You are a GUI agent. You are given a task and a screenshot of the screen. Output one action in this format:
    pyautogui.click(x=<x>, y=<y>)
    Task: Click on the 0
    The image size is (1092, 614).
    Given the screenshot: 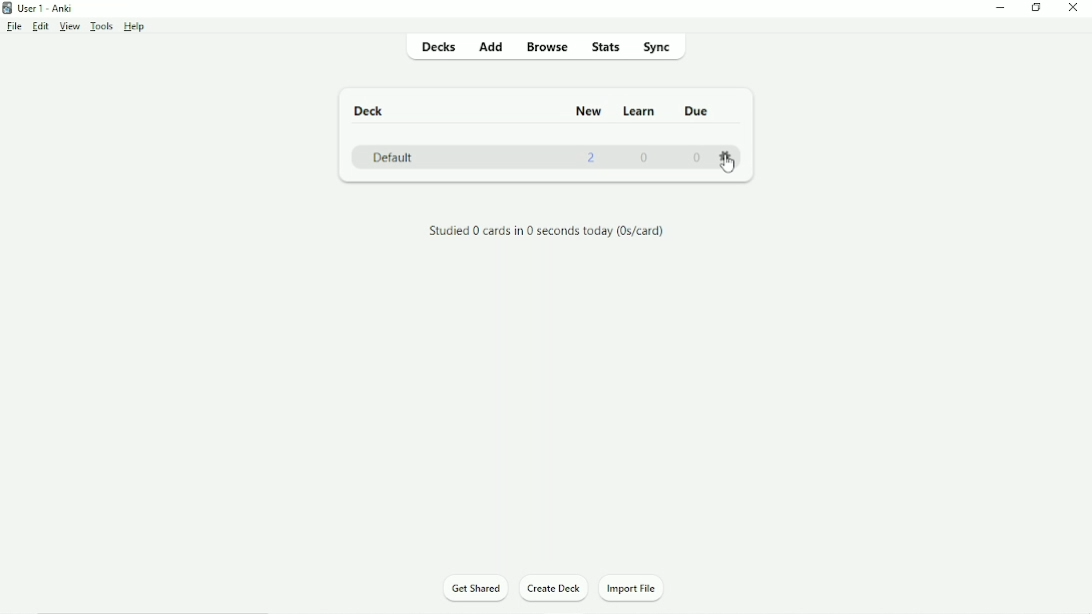 What is the action you would take?
    pyautogui.click(x=647, y=160)
    